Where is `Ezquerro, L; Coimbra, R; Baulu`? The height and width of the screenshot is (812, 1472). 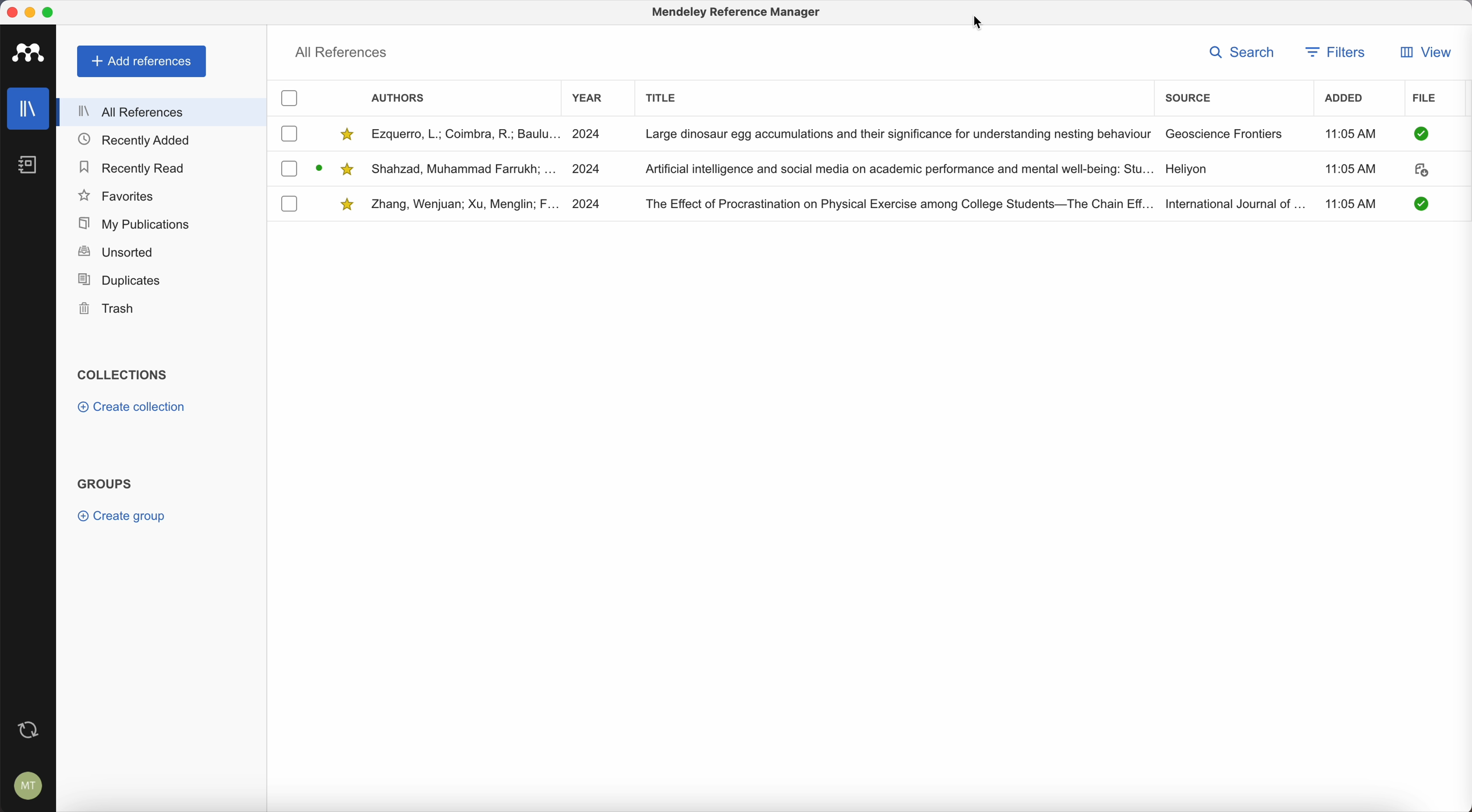 Ezquerro, L; Coimbra, R; Baulu is located at coordinates (465, 135).